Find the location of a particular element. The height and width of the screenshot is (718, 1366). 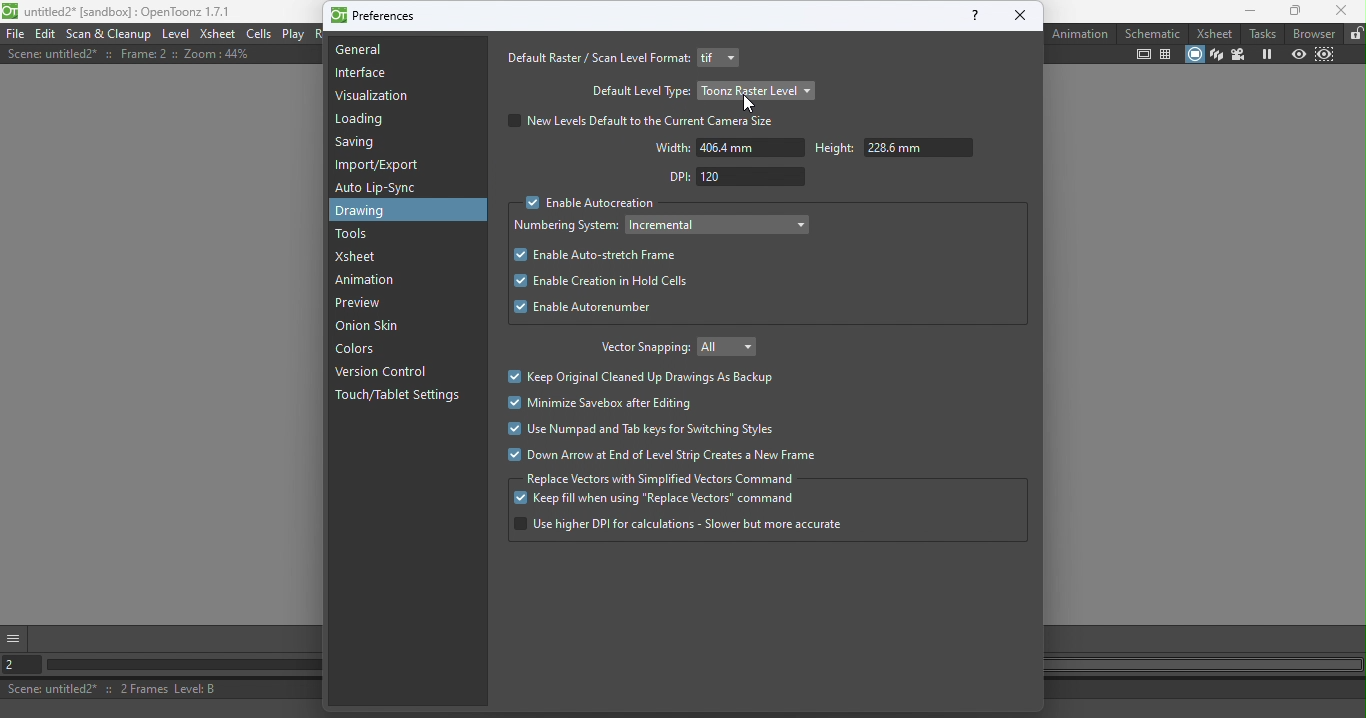

Horizontal scroll bar is located at coordinates (176, 666).